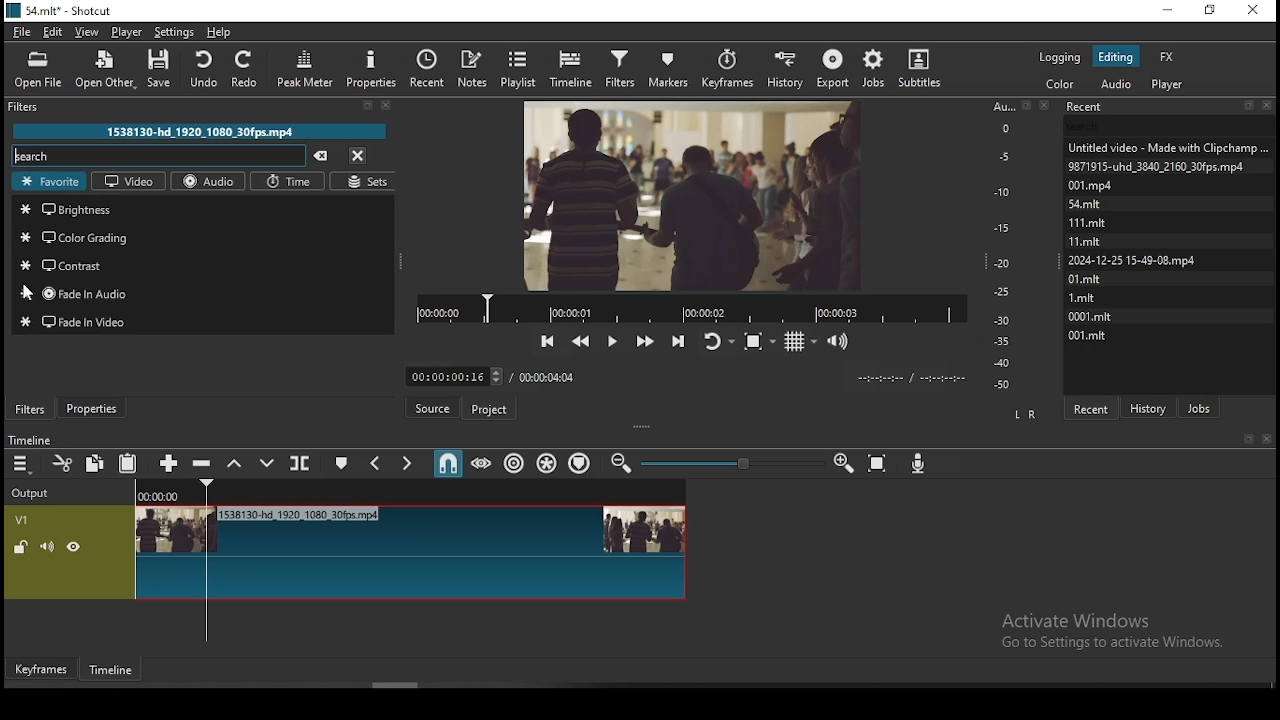  I want to click on playlist, so click(523, 67).